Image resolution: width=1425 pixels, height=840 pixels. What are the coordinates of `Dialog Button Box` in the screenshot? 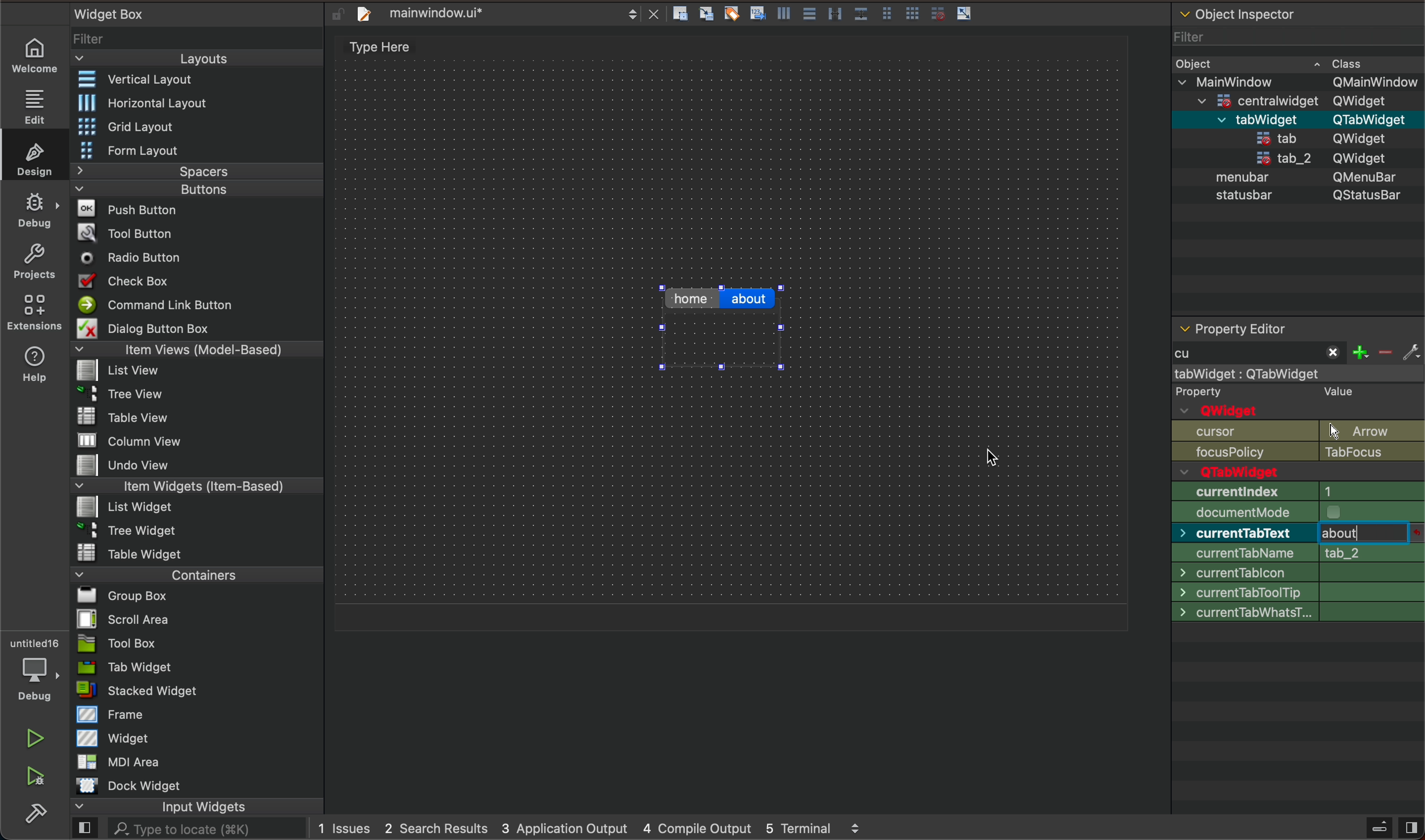 It's located at (139, 327).